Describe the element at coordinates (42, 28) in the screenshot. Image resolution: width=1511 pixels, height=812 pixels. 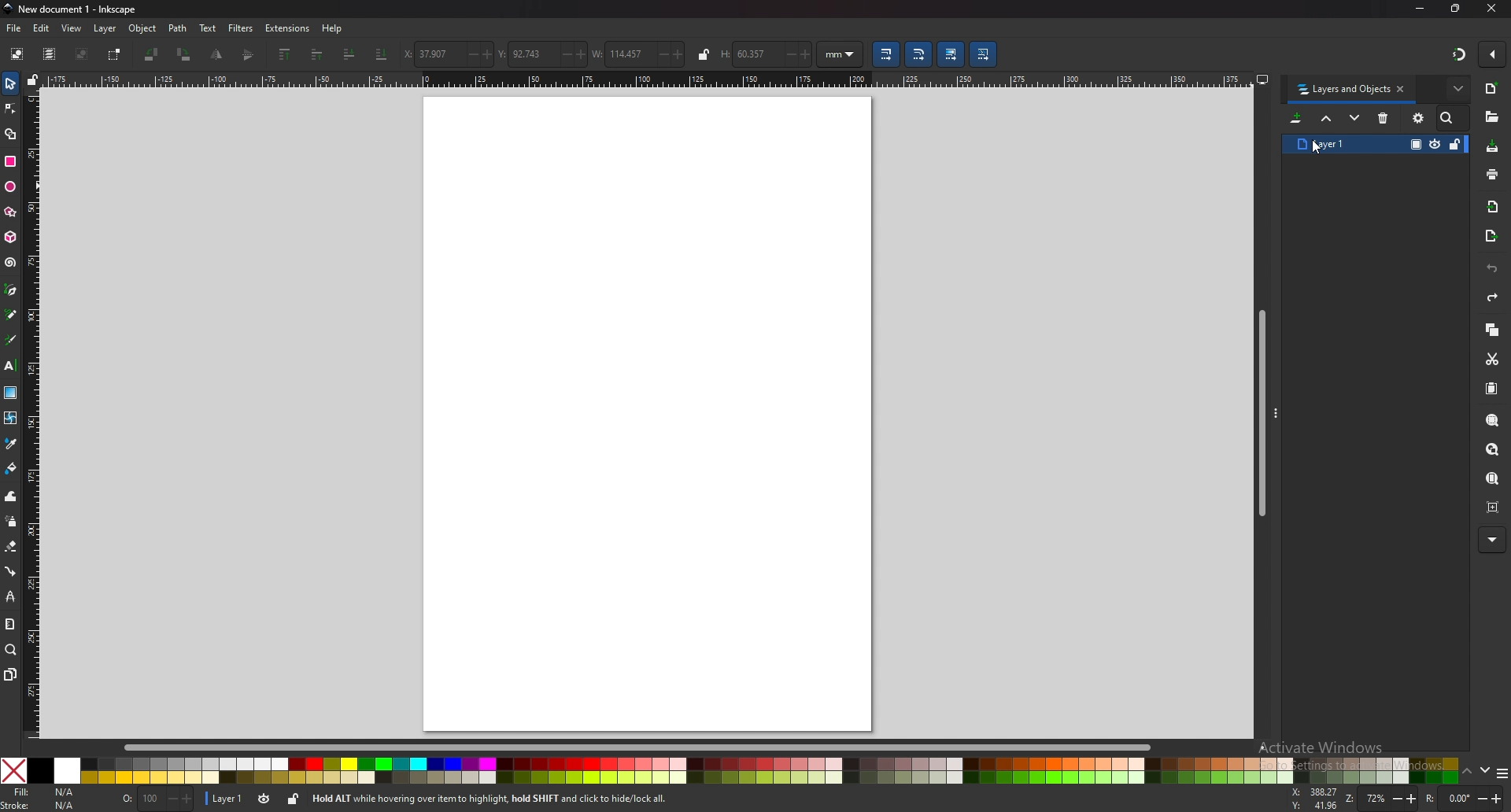
I see `edit` at that location.